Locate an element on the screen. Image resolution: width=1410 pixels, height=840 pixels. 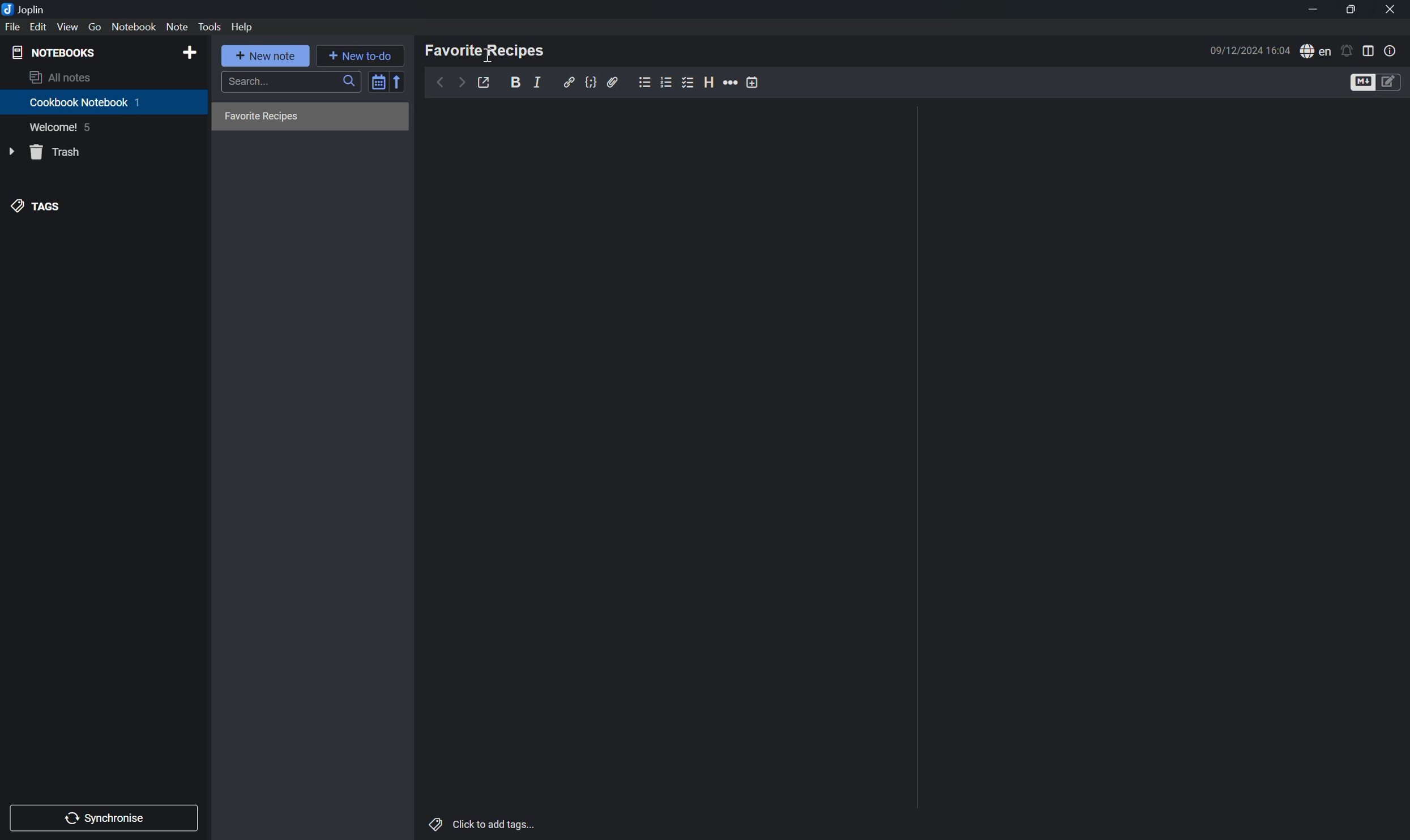
Help is located at coordinates (243, 28).